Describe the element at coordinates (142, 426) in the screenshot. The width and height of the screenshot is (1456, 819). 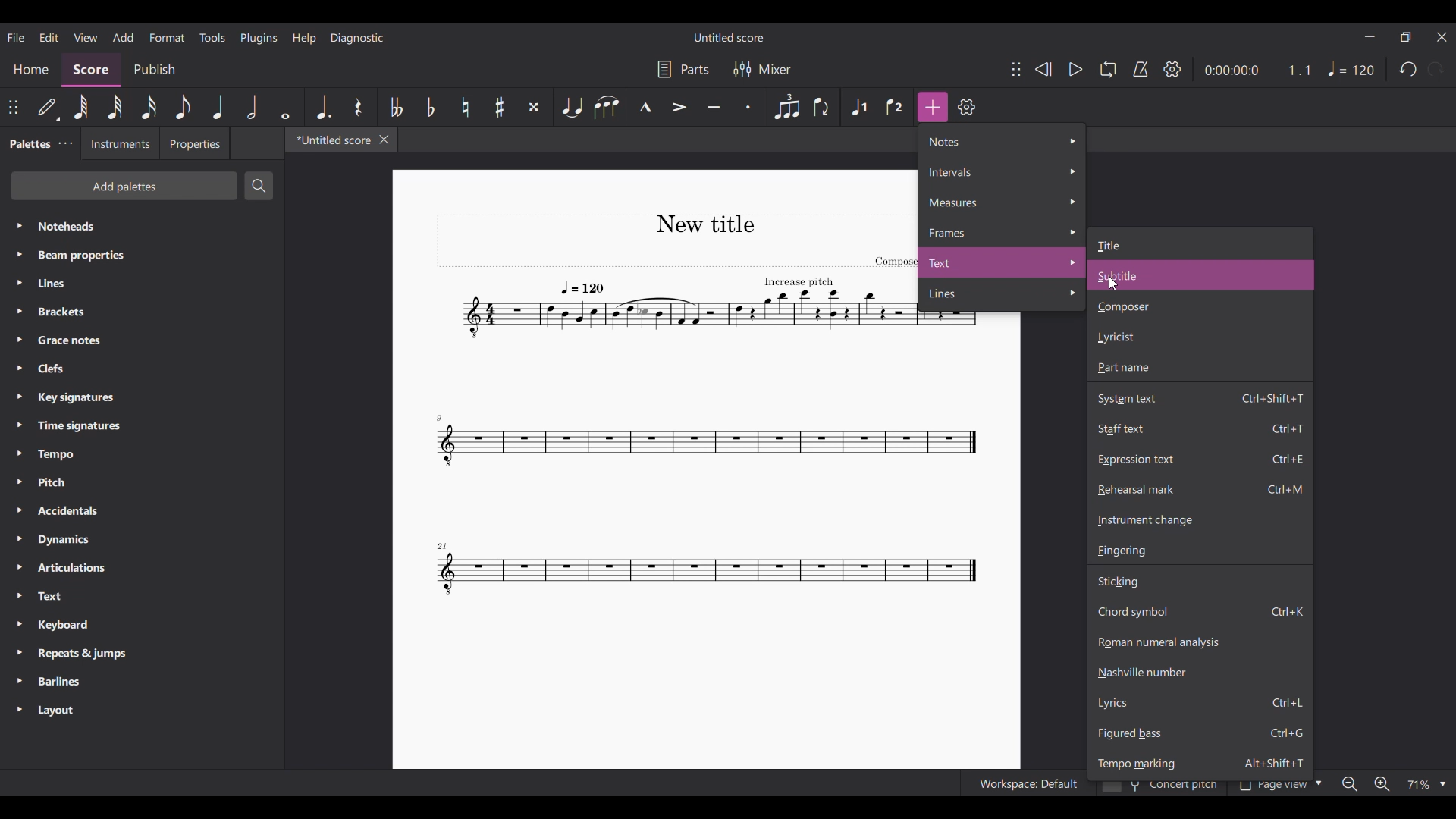
I see `Time signatures` at that location.